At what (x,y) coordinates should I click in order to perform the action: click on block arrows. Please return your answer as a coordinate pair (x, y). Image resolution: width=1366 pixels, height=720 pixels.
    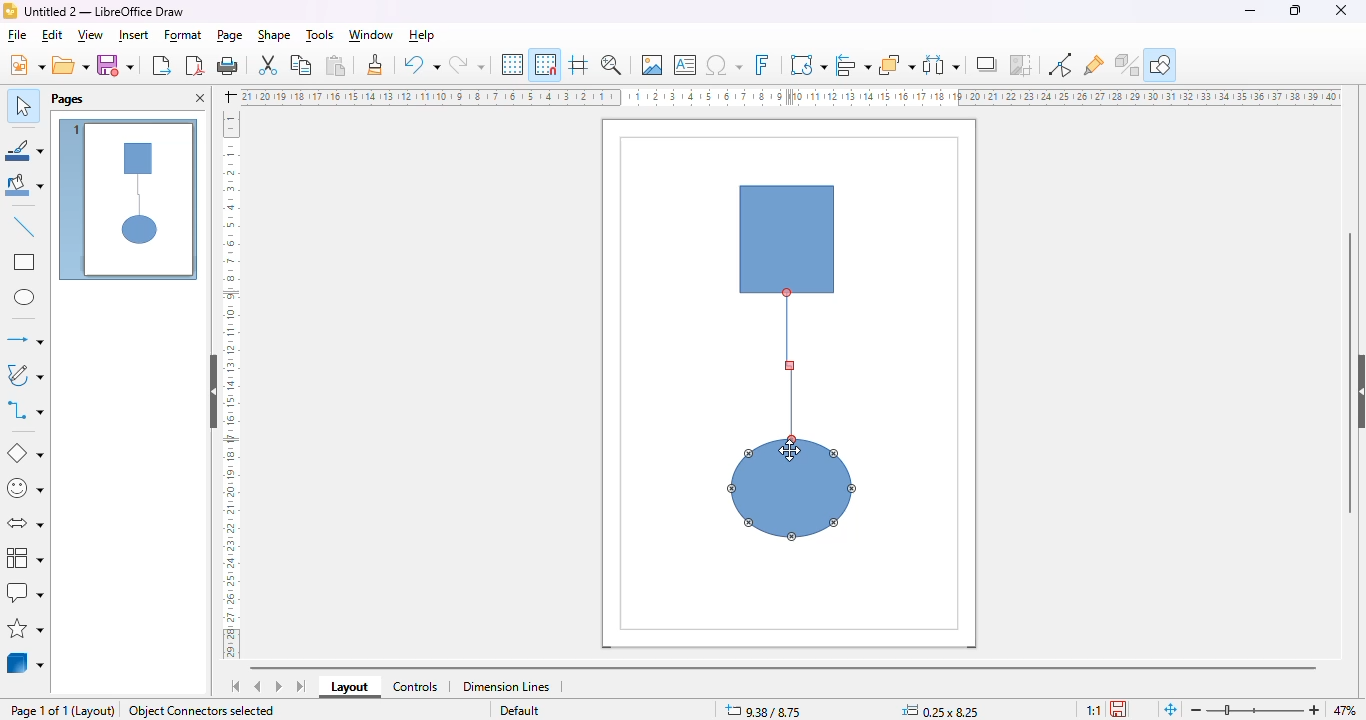
    Looking at the image, I should click on (27, 523).